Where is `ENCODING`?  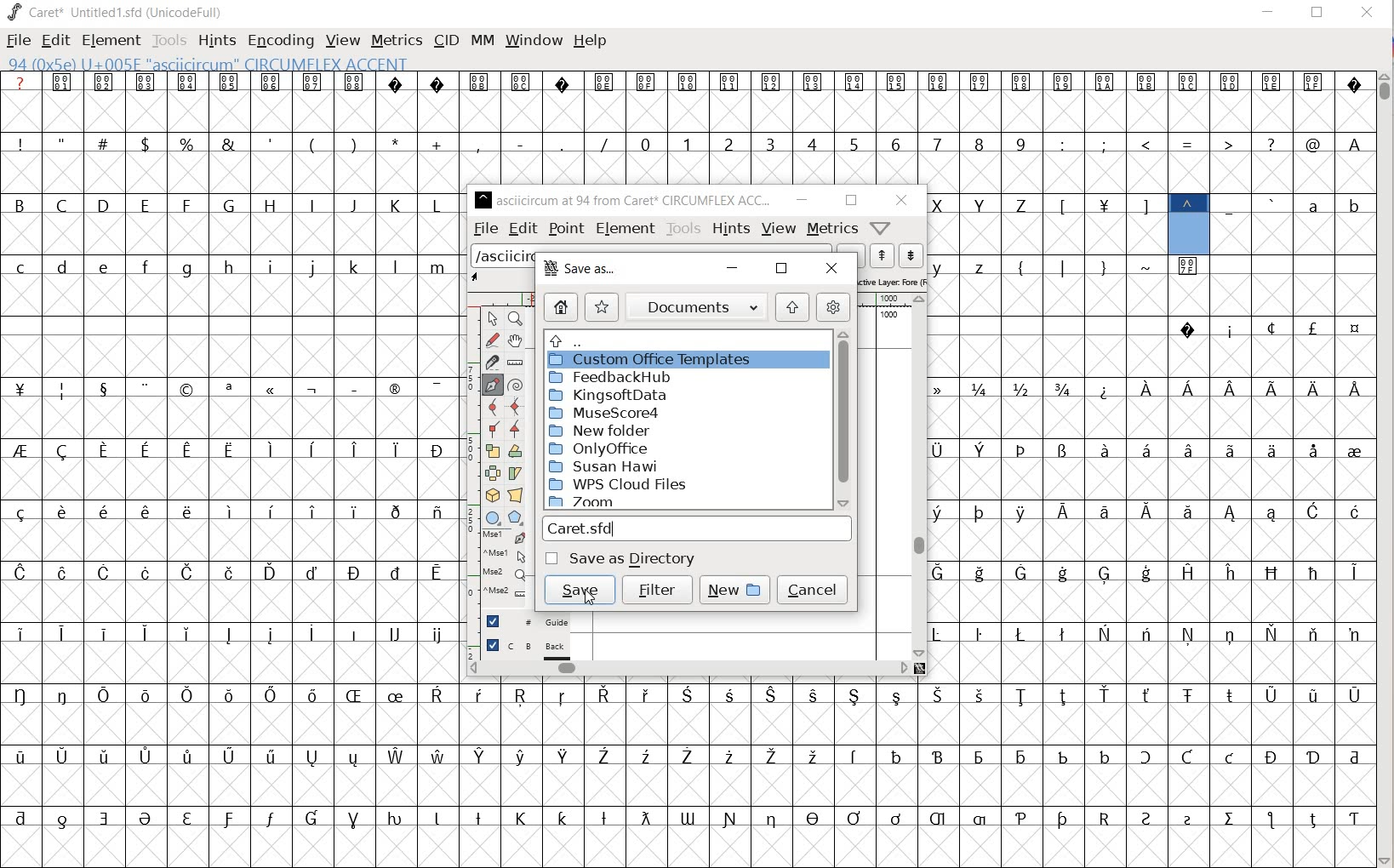
ENCODING is located at coordinates (281, 39).